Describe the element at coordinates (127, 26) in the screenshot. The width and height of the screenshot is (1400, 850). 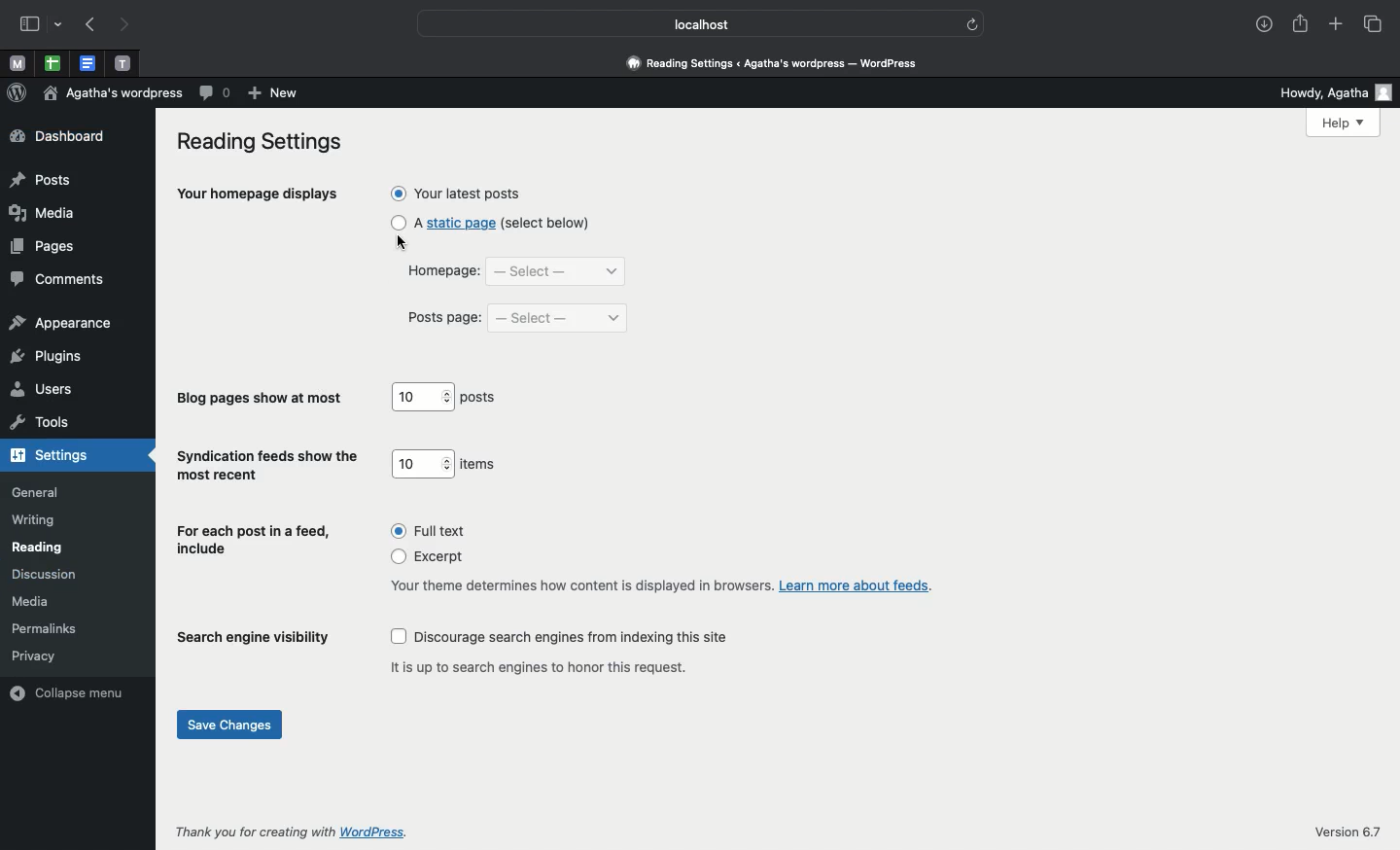
I see `Next page` at that location.